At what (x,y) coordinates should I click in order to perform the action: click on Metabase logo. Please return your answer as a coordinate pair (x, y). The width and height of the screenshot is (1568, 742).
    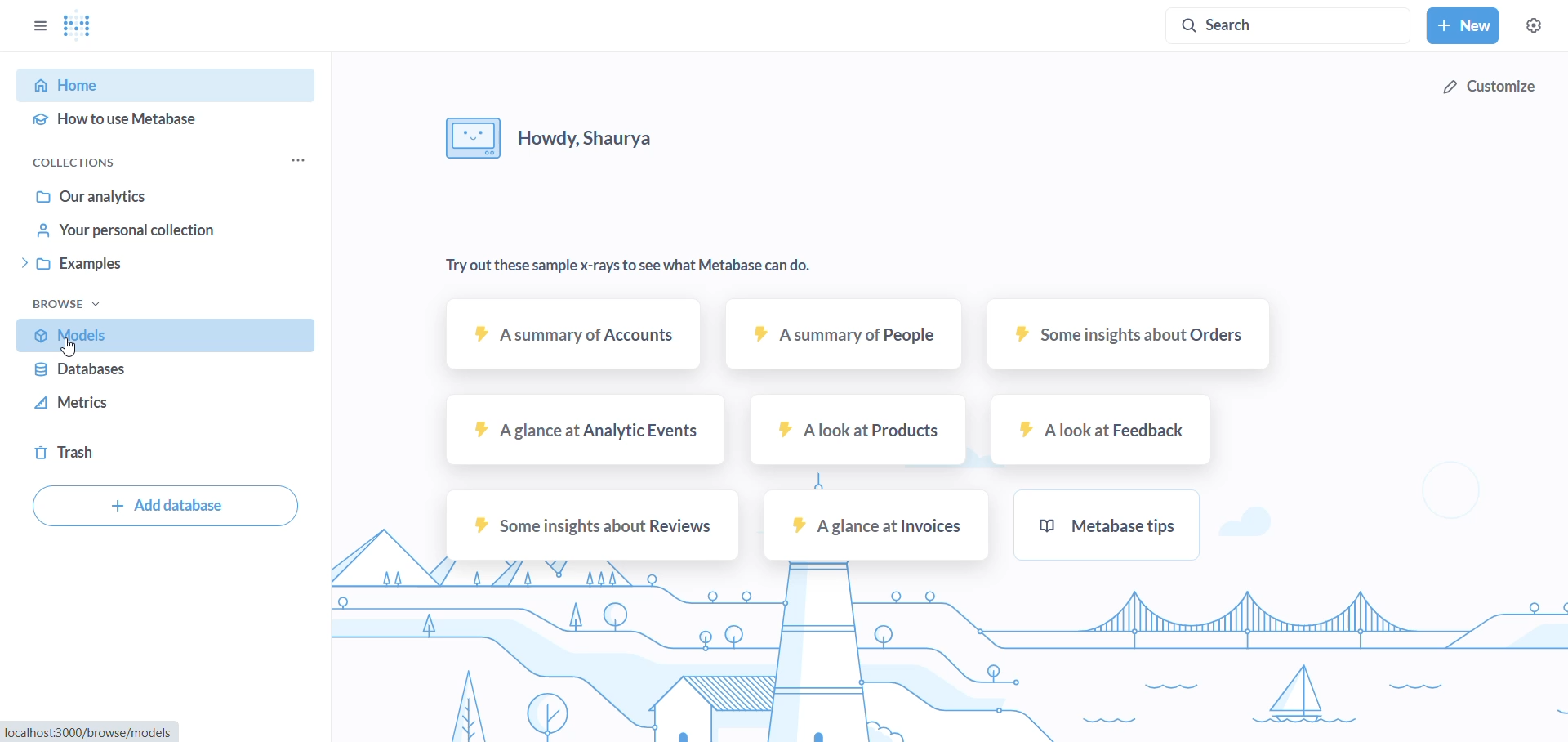
    Looking at the image, I should click on (84, 26).